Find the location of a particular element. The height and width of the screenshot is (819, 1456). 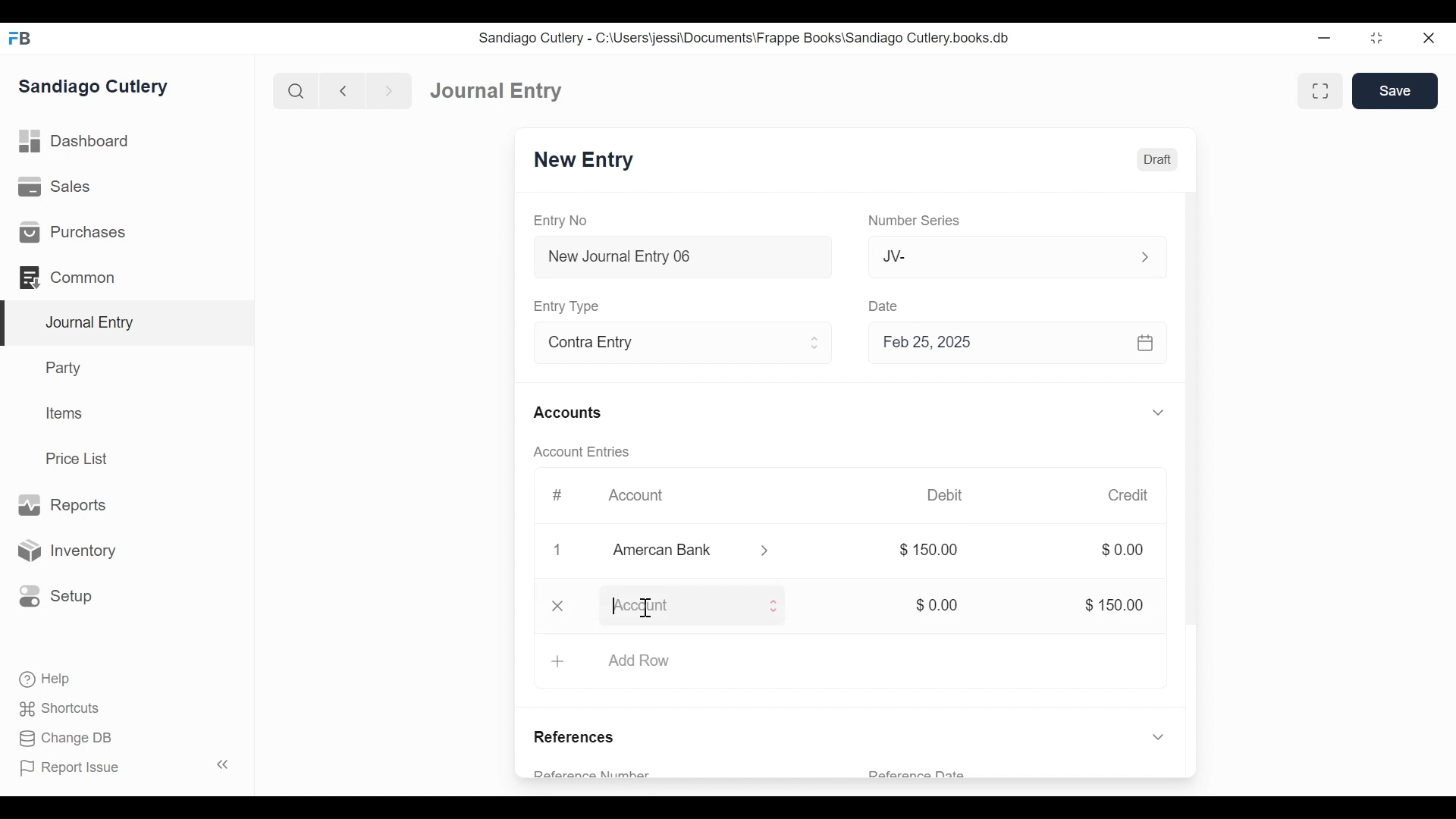

Journal Entry is located at coordinates (497, 89).